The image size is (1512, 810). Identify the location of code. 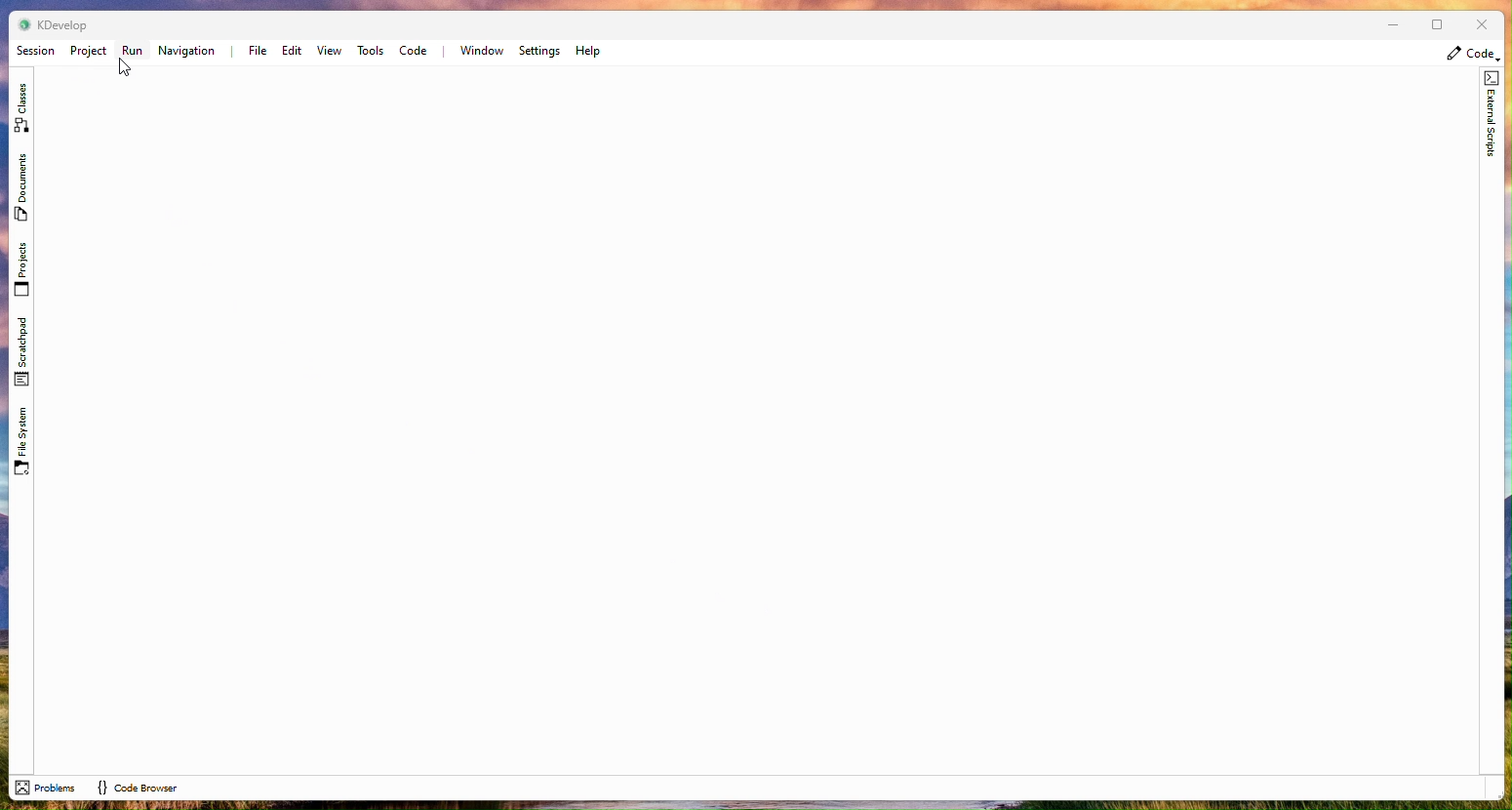
(1473, 54).